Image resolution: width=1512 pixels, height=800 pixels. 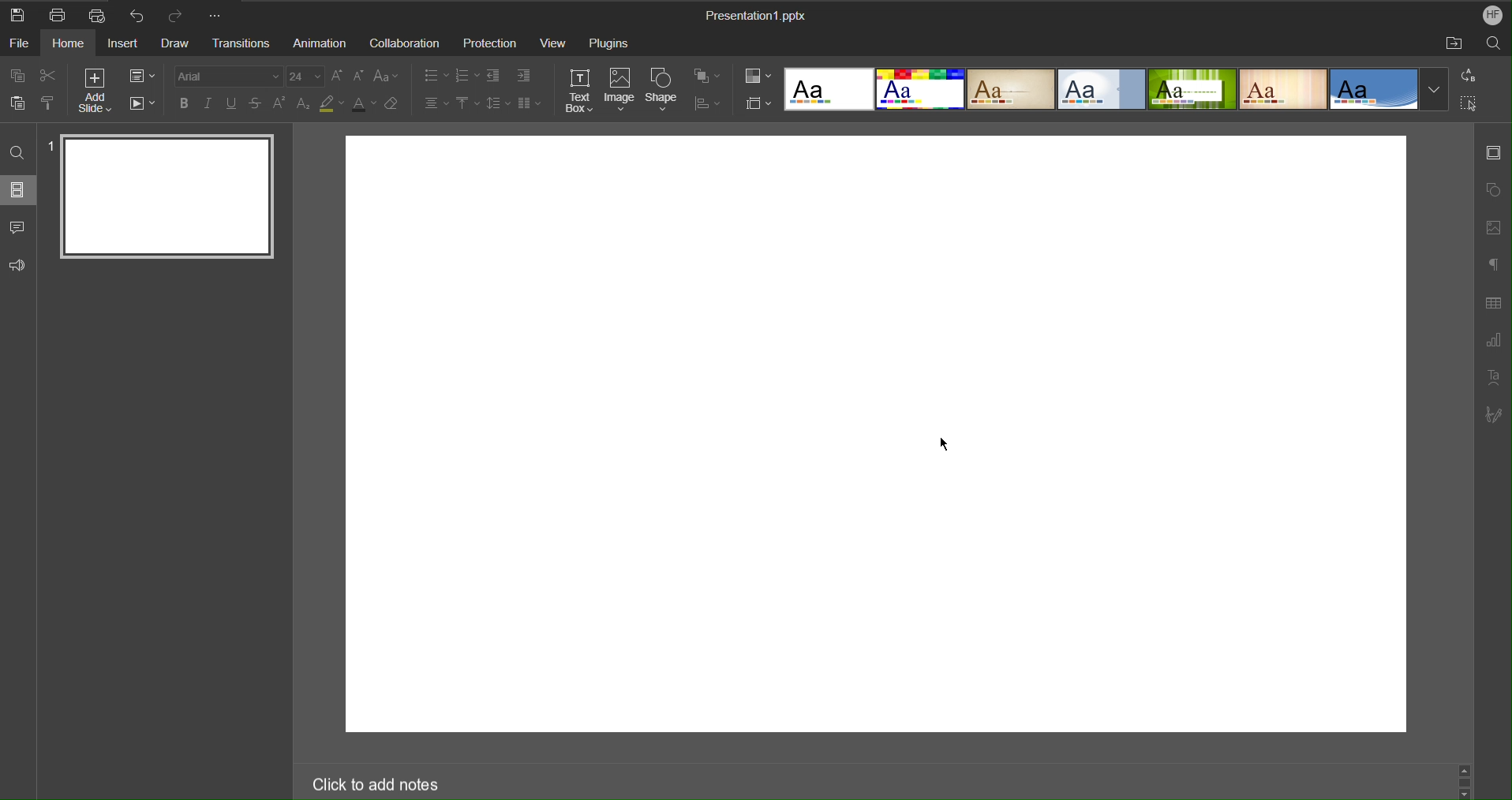 What do you see at coordinates (47, 76) in the screenshot?
I see `Cut` at bounding box center [47, 76].